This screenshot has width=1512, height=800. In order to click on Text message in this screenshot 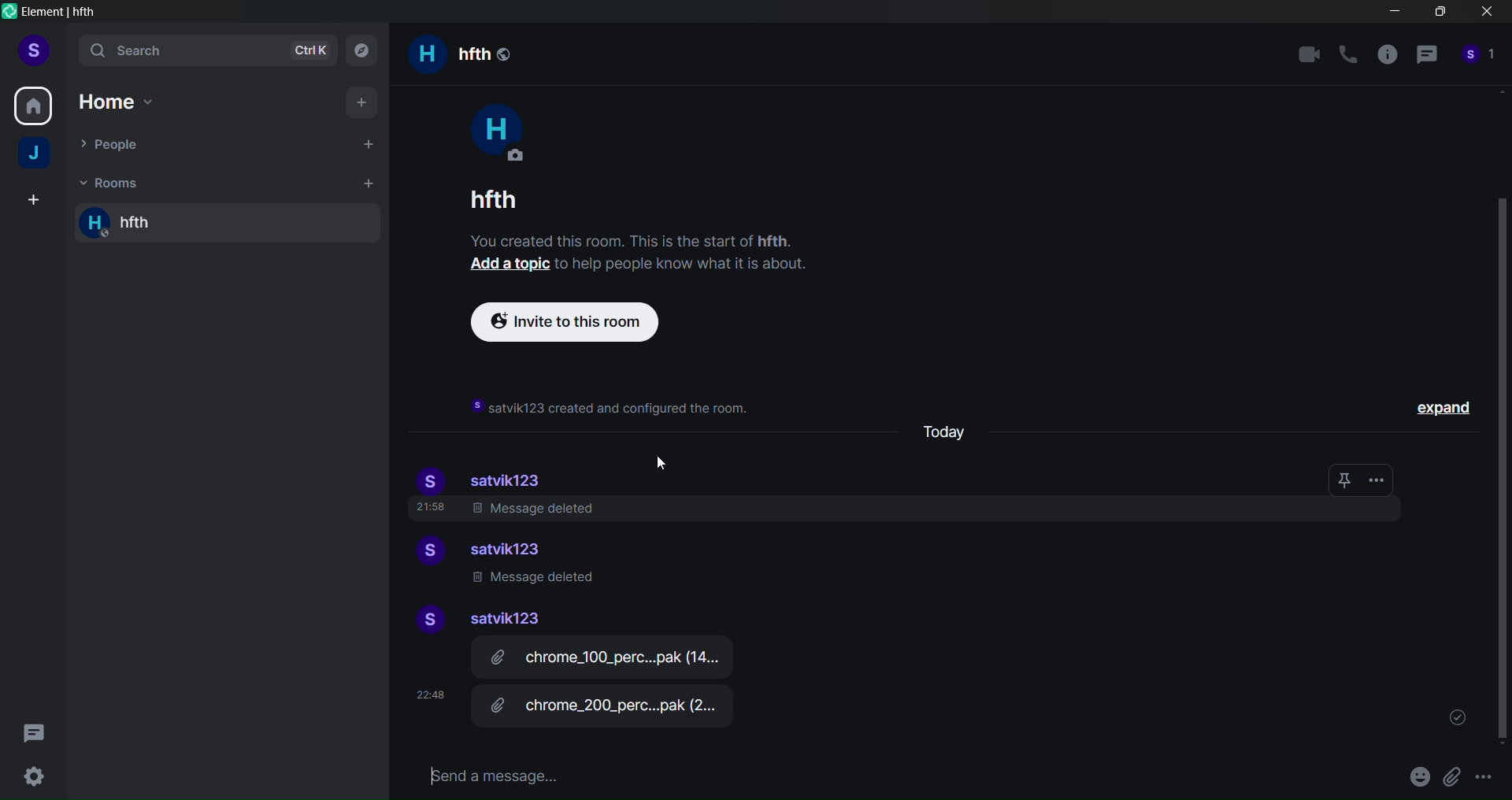, I will do `click(898, 777)`.